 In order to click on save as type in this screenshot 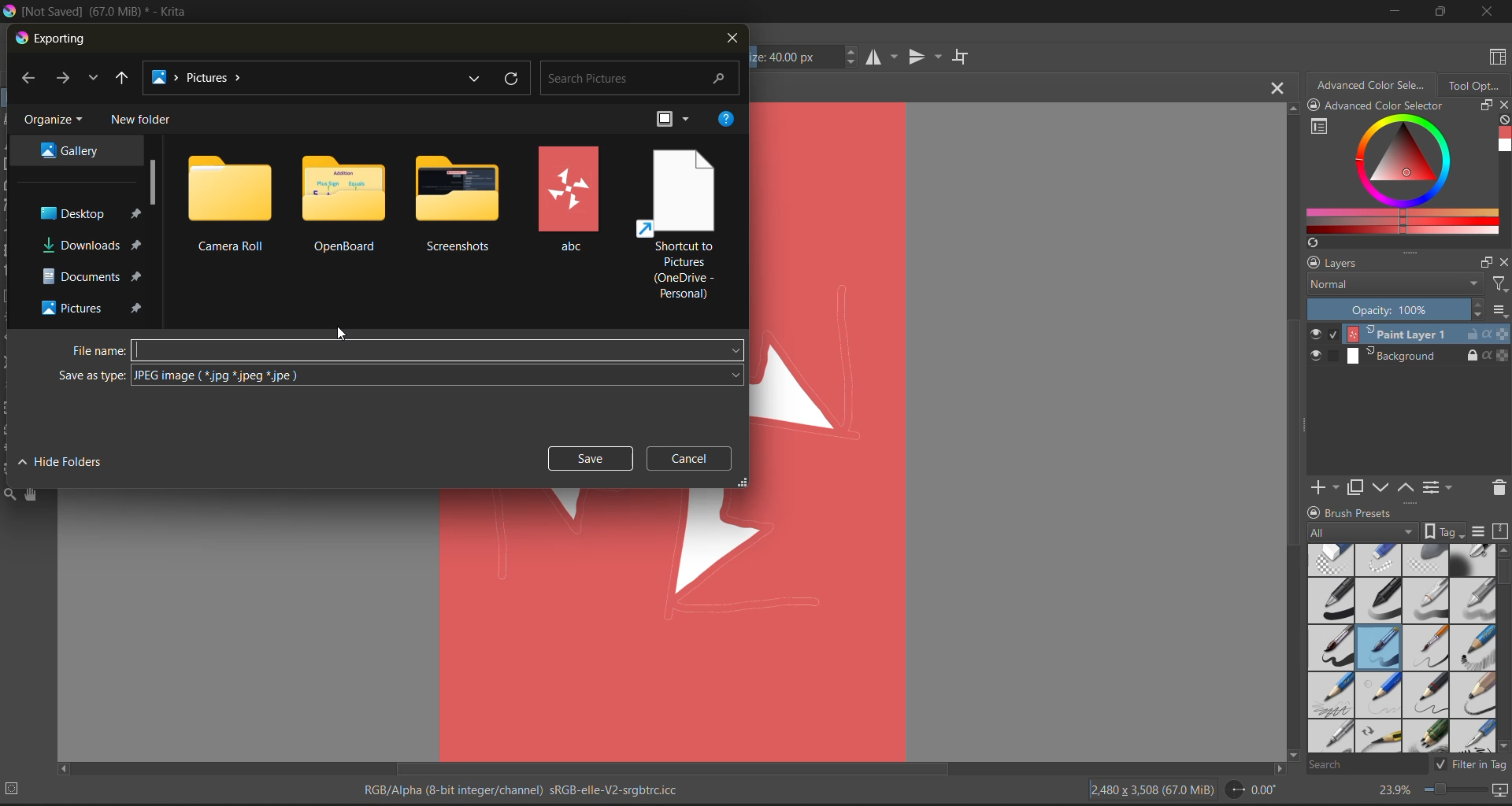, I will do `click(400, 375)`.